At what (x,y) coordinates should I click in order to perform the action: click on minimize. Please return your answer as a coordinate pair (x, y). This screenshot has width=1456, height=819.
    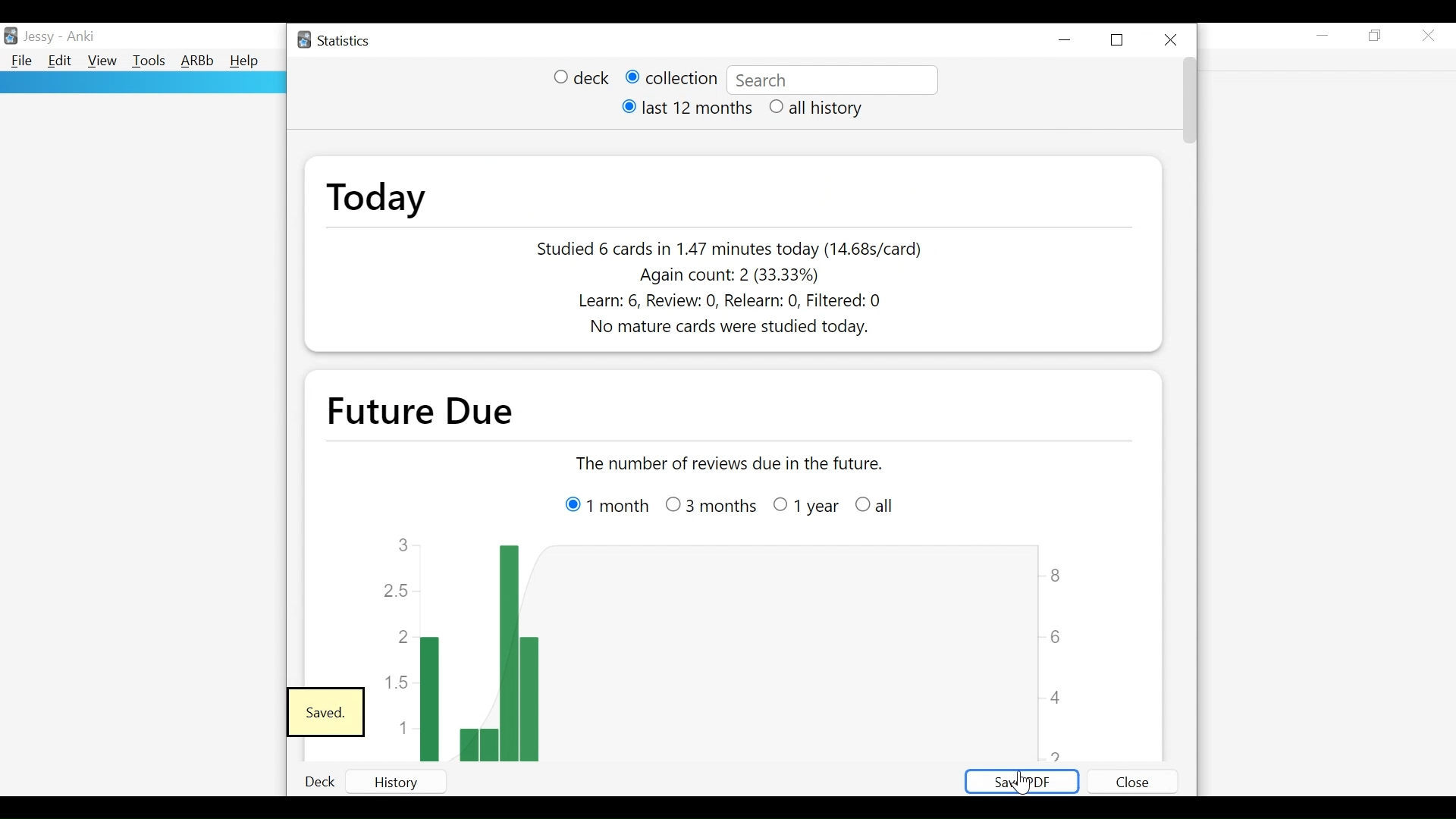
    Looking at the image, I should click on (1323, 35).